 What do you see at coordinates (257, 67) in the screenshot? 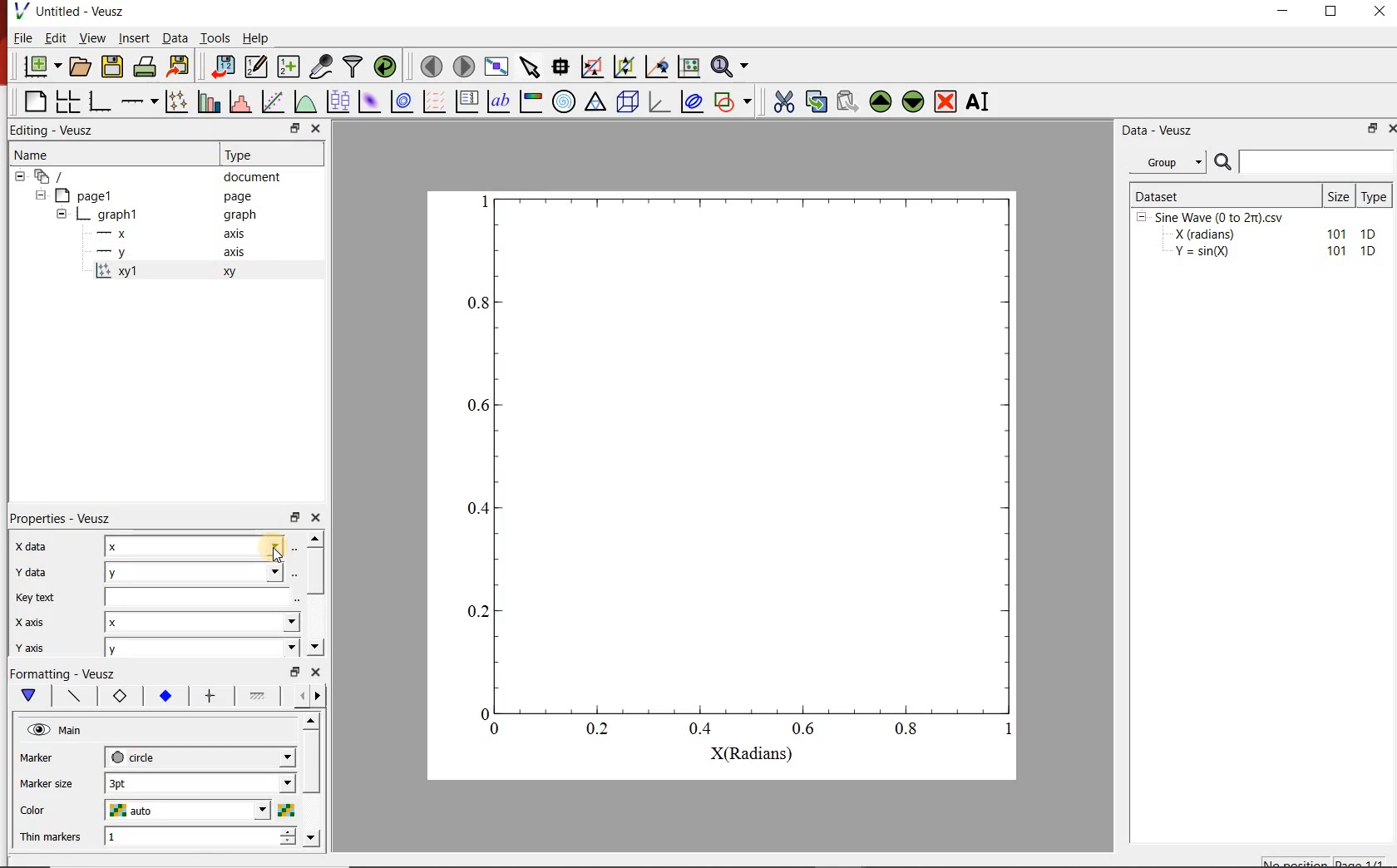
I see `edit and enter new datasets` at bounding box center [257, 67].